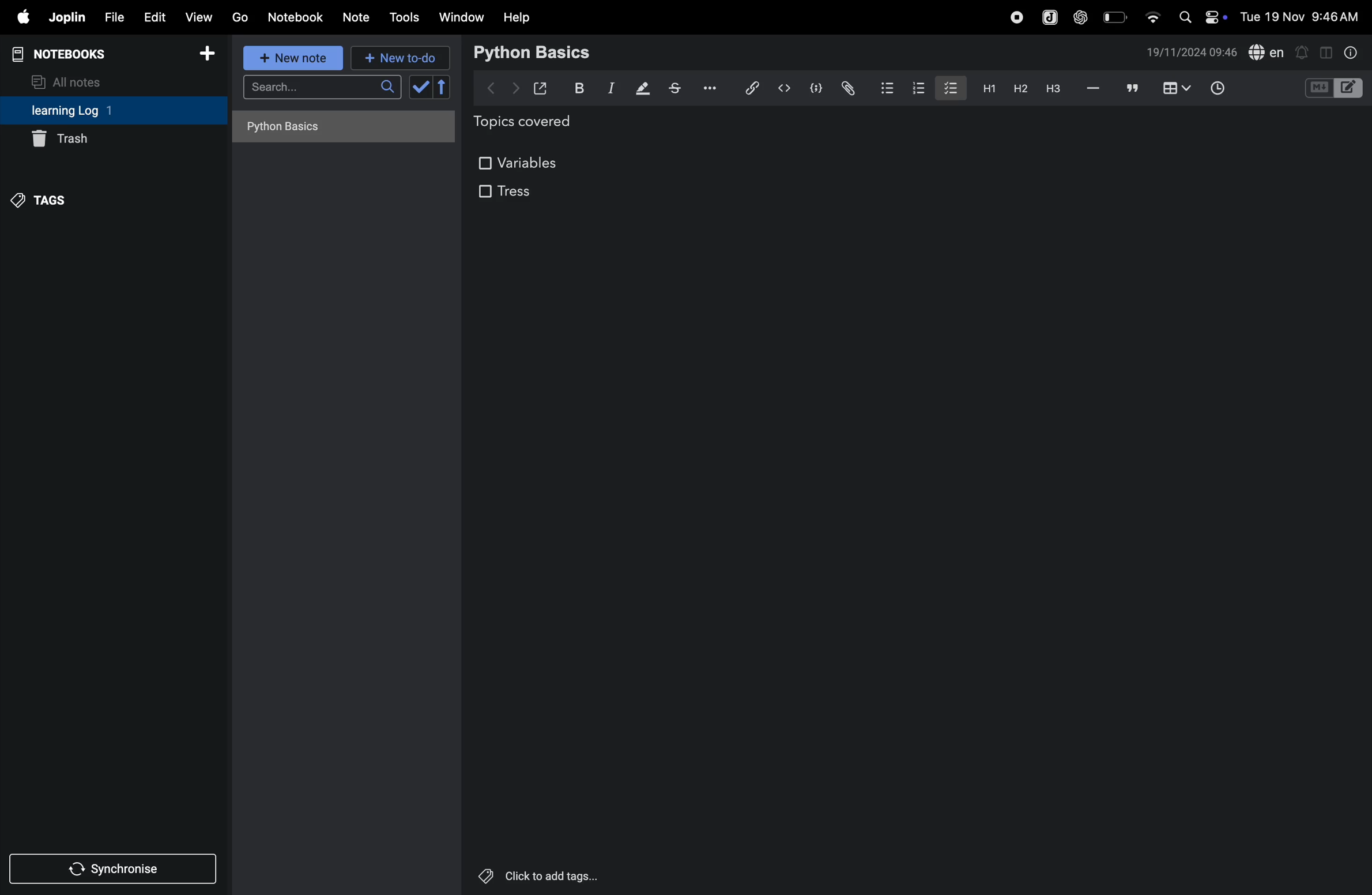 The width and height of the screenshot is (1372, 895). Describe the element at coordinates (1133, 89) in the screenshot. I see `comment` at that location.